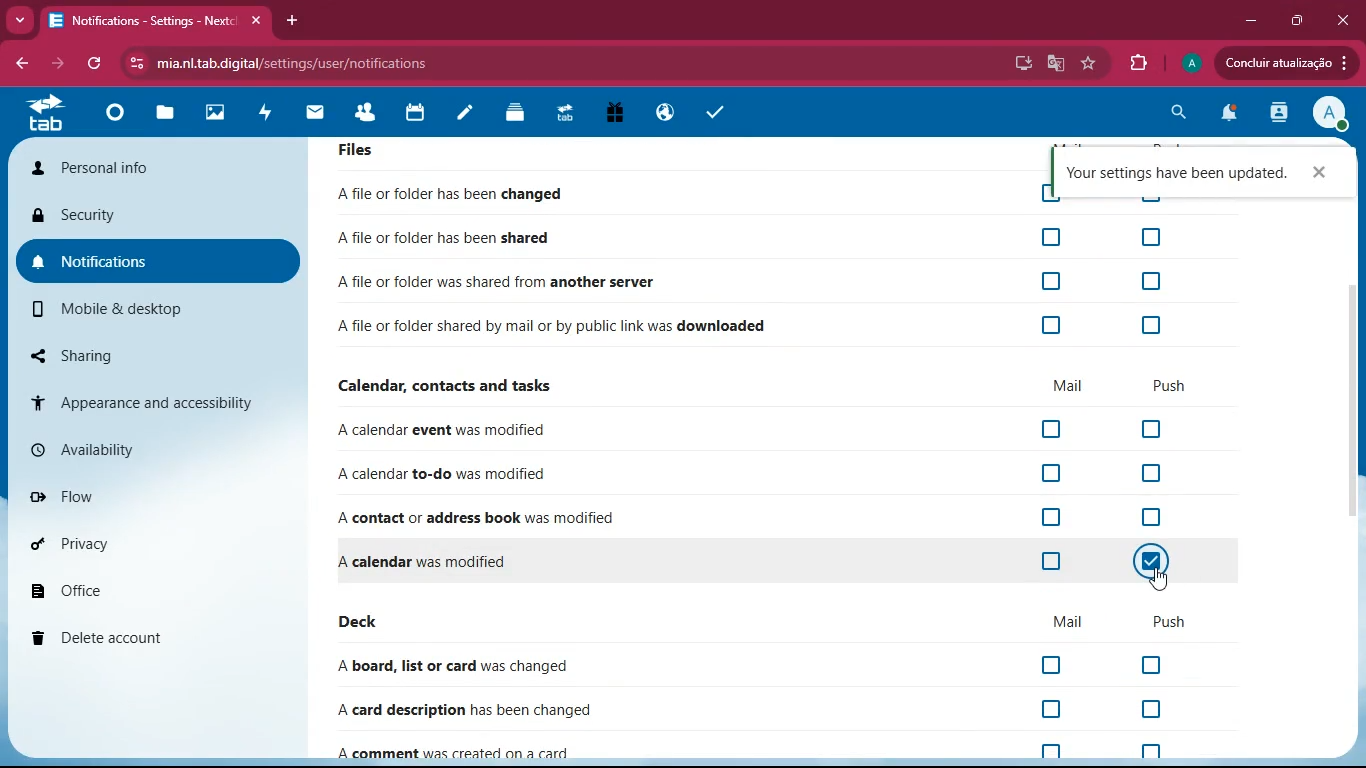  I want to click on notifications, so click(1229, 116).